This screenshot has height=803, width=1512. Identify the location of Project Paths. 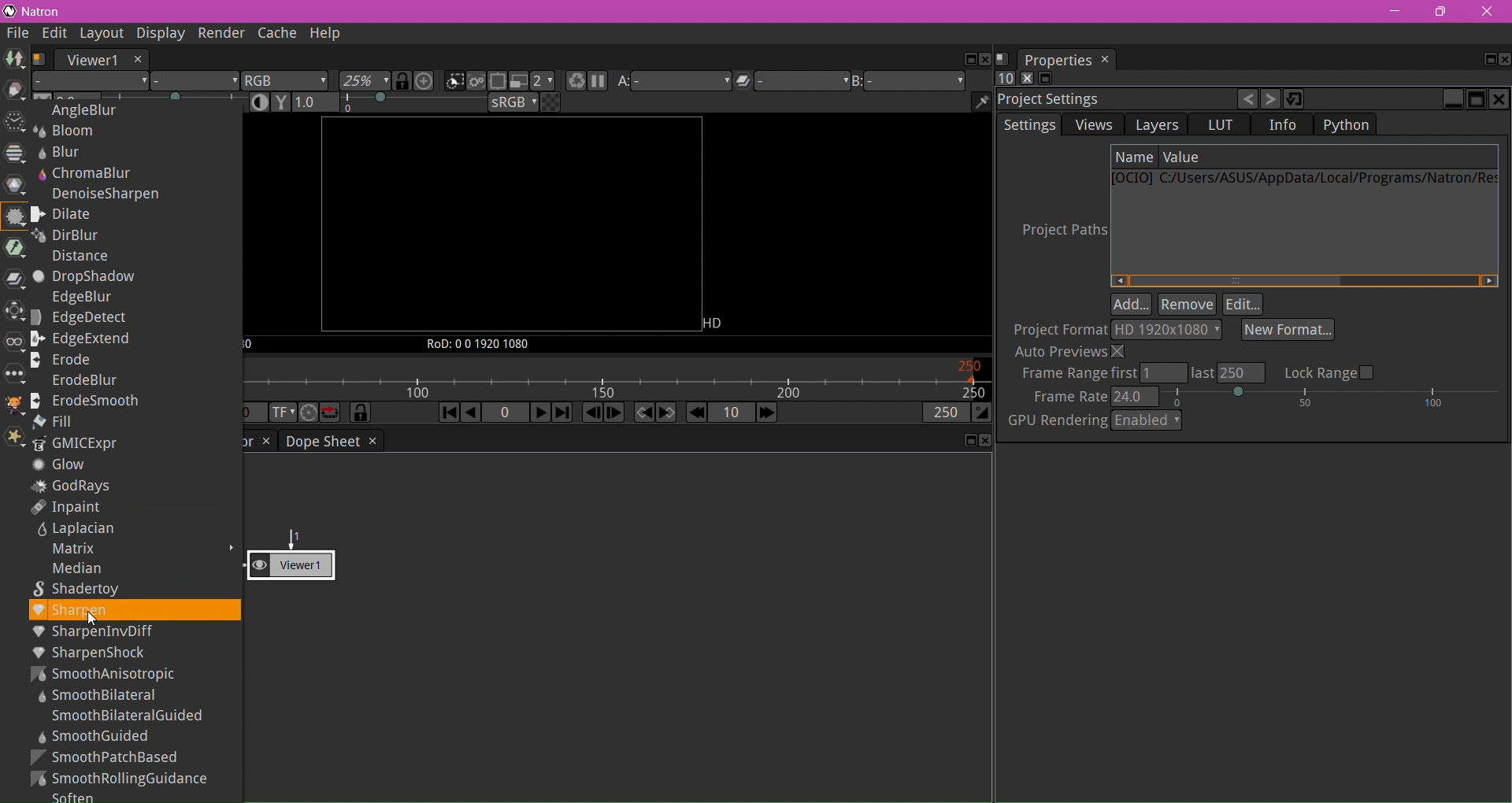
(1058, 233).